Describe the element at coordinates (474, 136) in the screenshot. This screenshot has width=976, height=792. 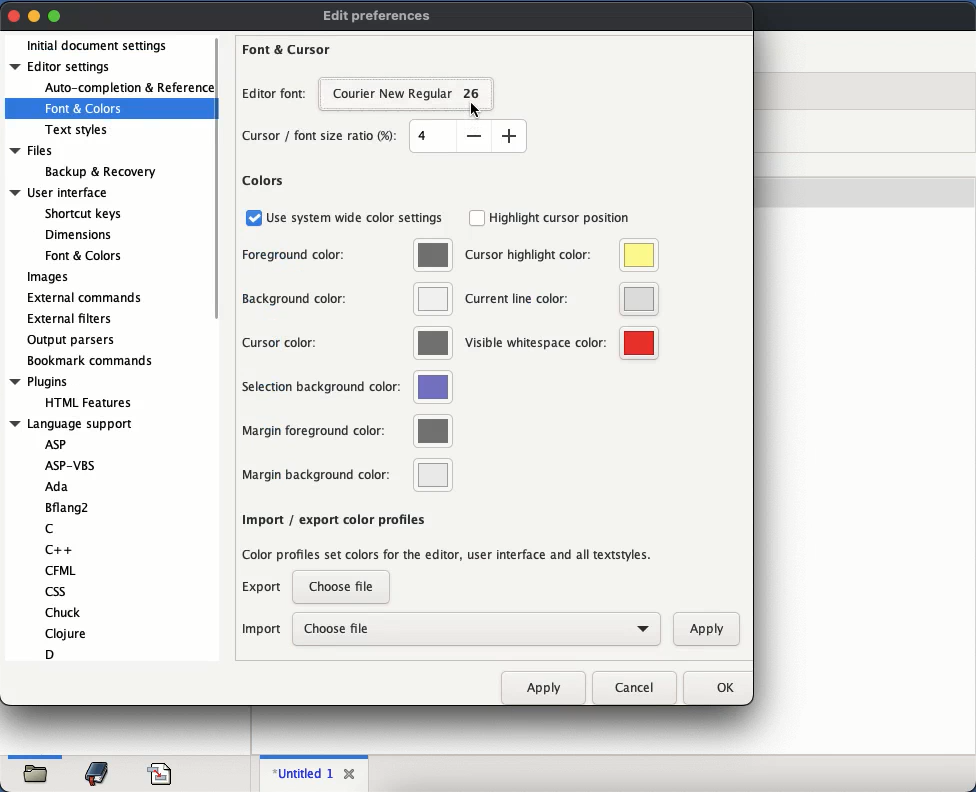
I see `decrease` at that location.